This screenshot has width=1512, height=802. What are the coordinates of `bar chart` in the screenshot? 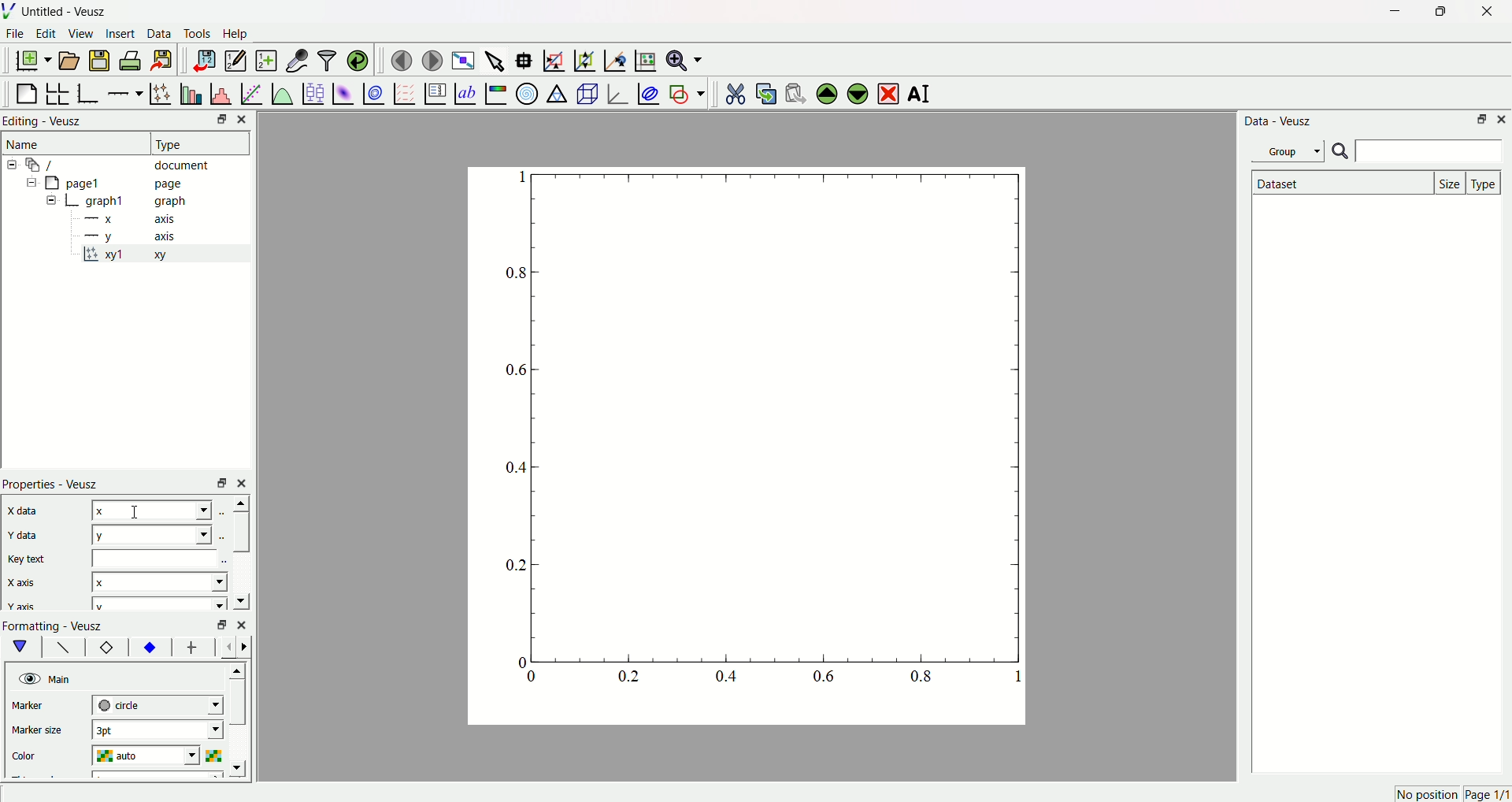 It's located at (189, 91).